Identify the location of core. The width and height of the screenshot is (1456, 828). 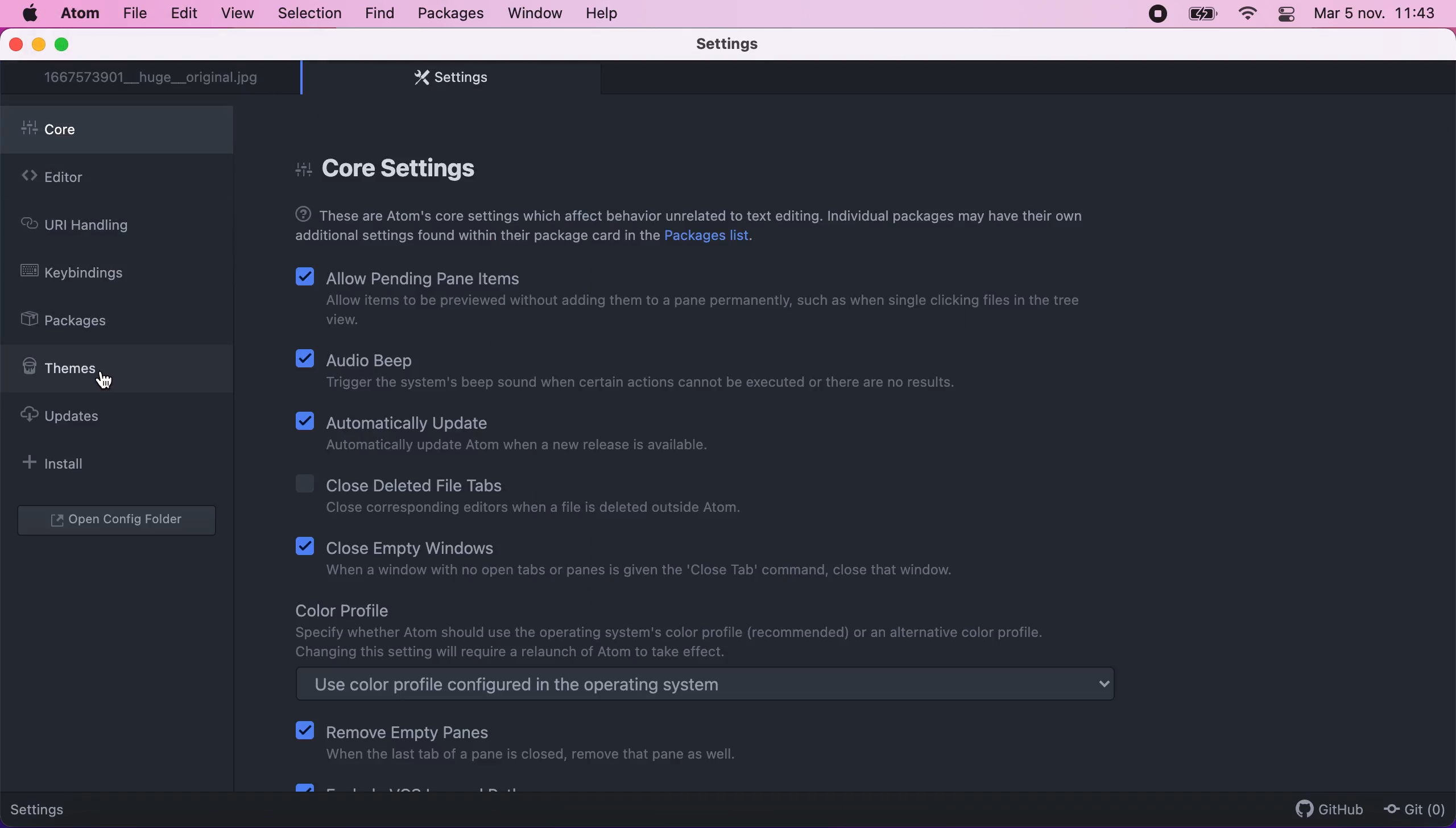
(123, 131).